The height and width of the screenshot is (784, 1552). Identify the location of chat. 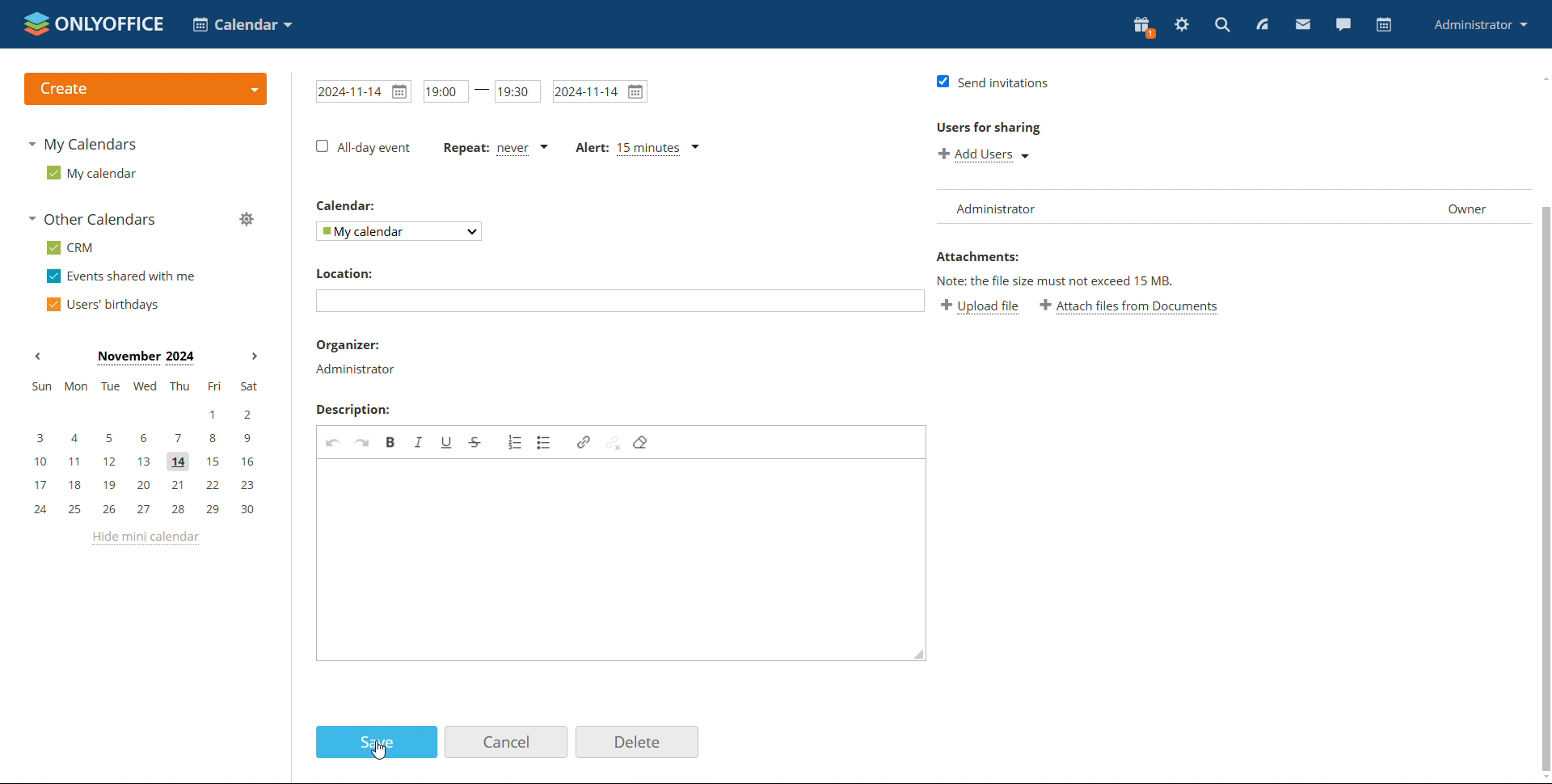
(1343, 23).